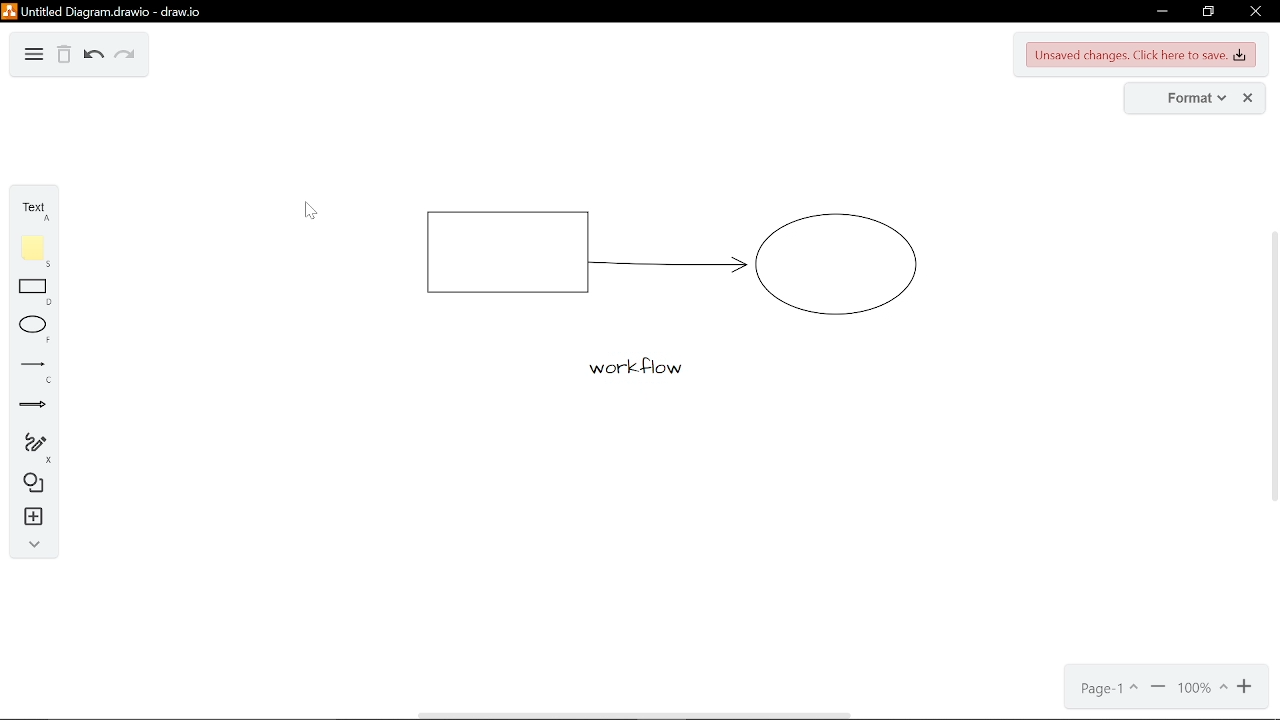 This screenshot has width=1280, height=720. Describe the element at coordinates (37, 291) in the screenshot. I see `rectangle` at that location.